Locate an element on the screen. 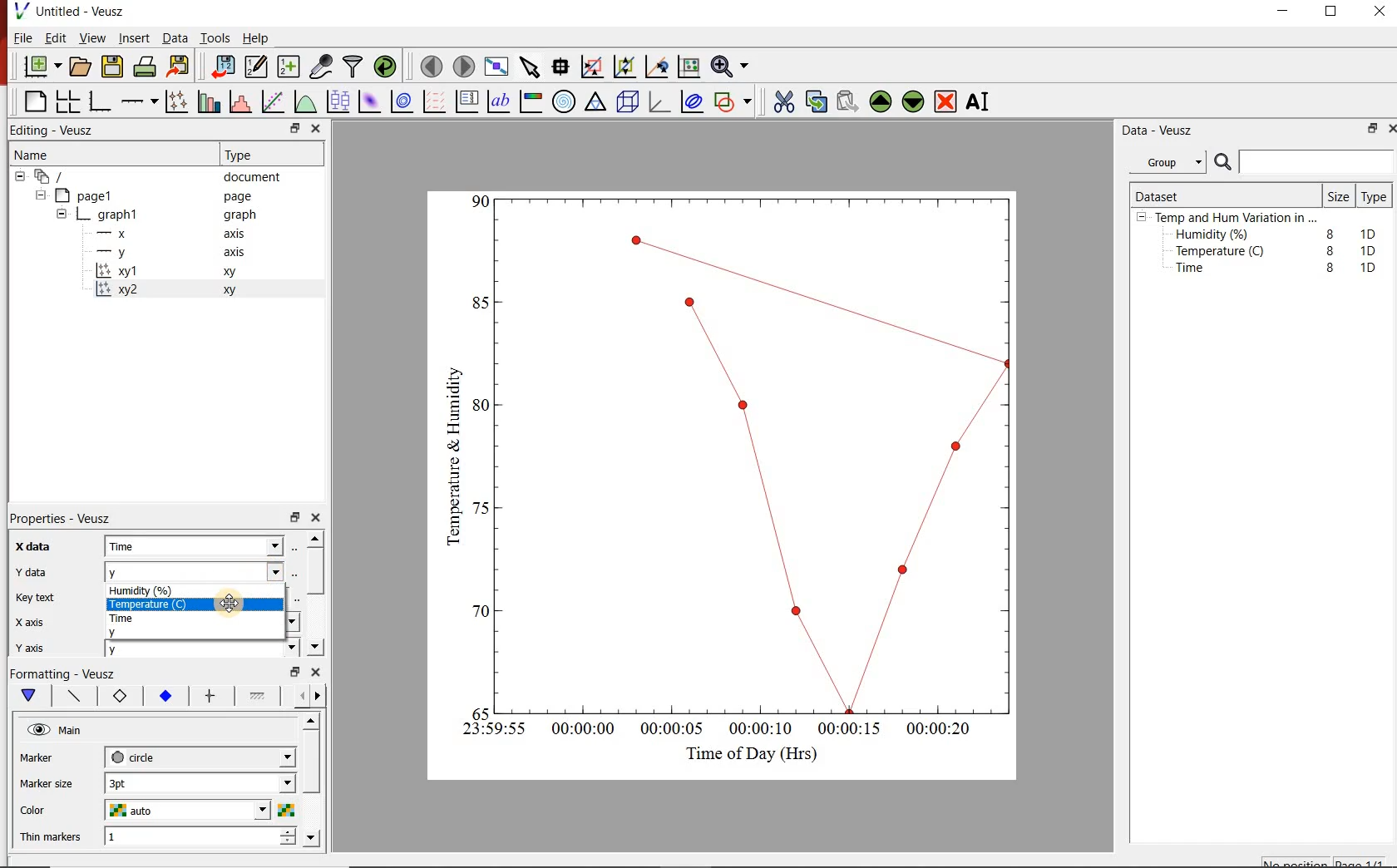  Temp and Hum Variation in ... is located at coordinates (1236, 218).